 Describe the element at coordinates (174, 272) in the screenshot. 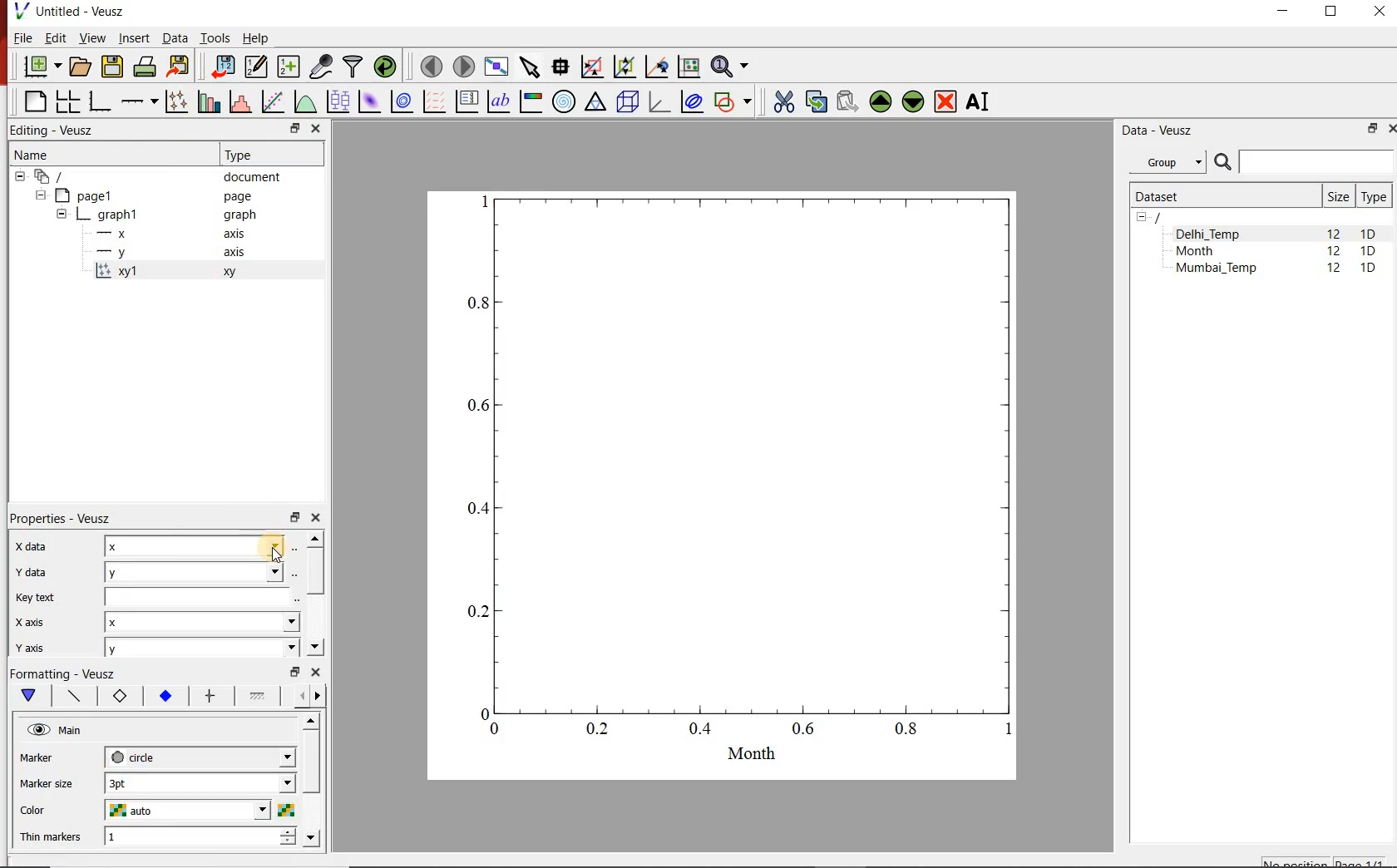

I see `xy1` at that location.